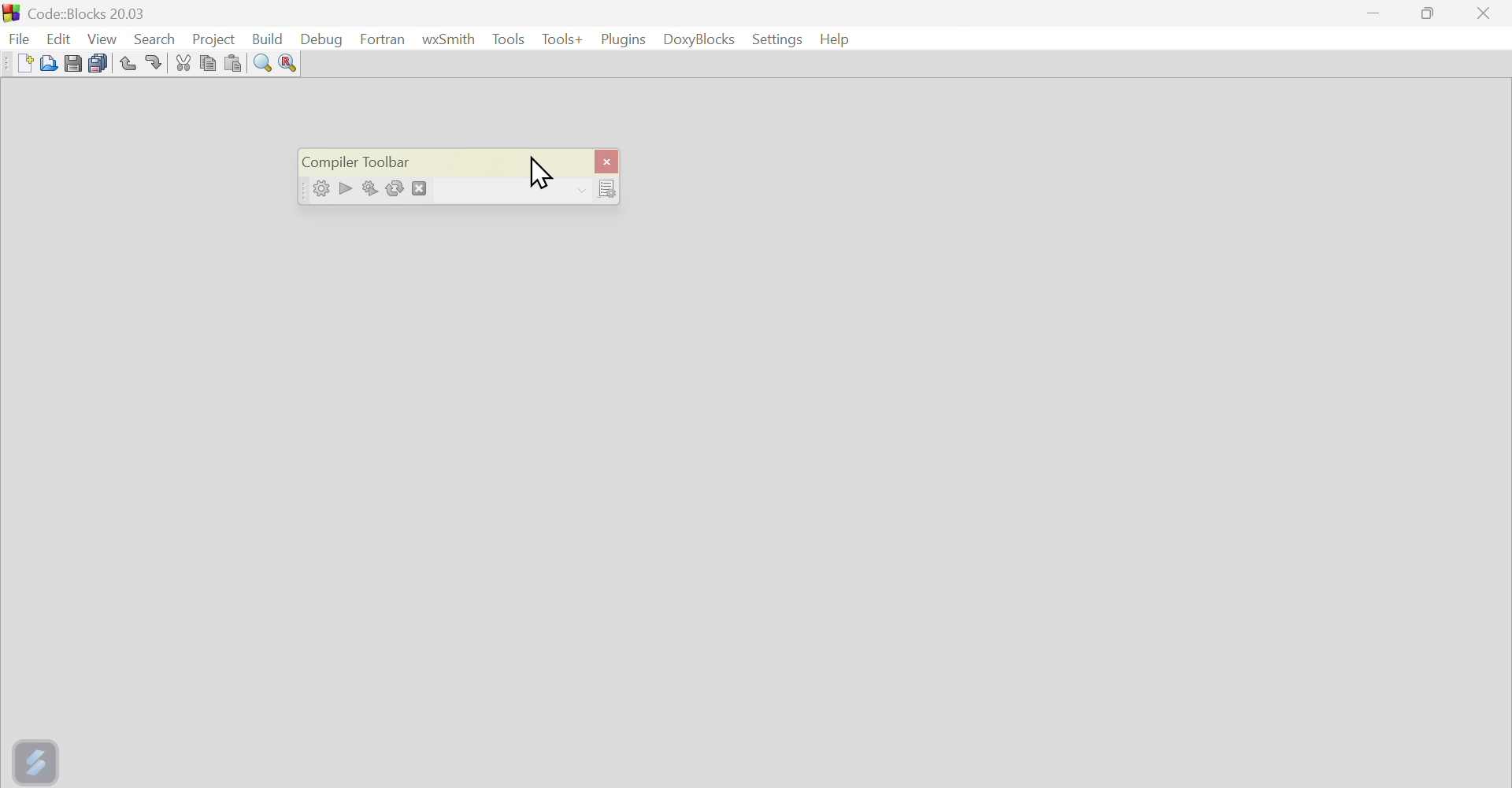  What do you see at coordinates (1484, 14) in the screenshot?
I see `Close` at bounding box center [1484, 14].